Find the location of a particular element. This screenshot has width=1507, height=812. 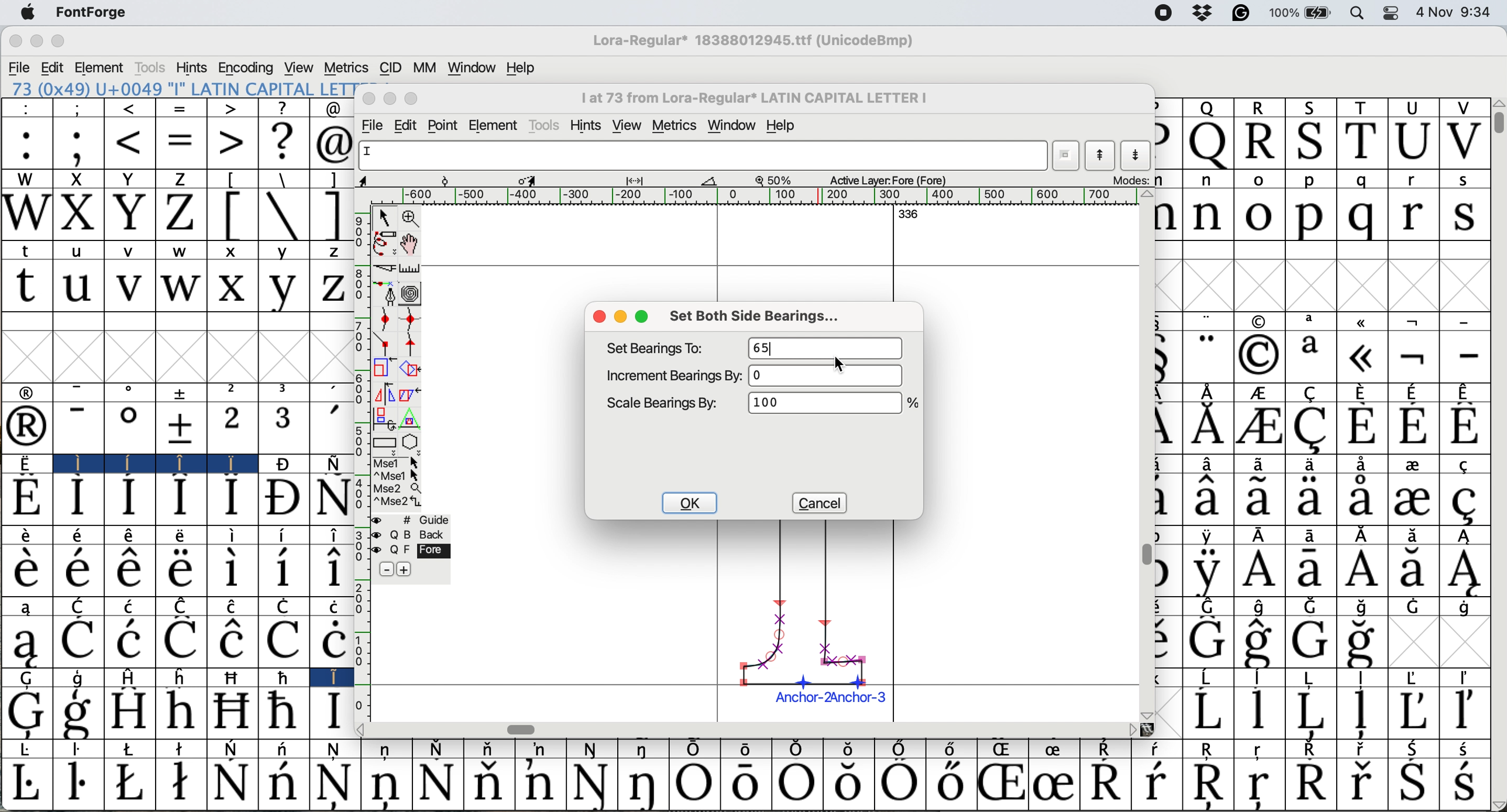

Symbol is located at coordinates (1208, 465).